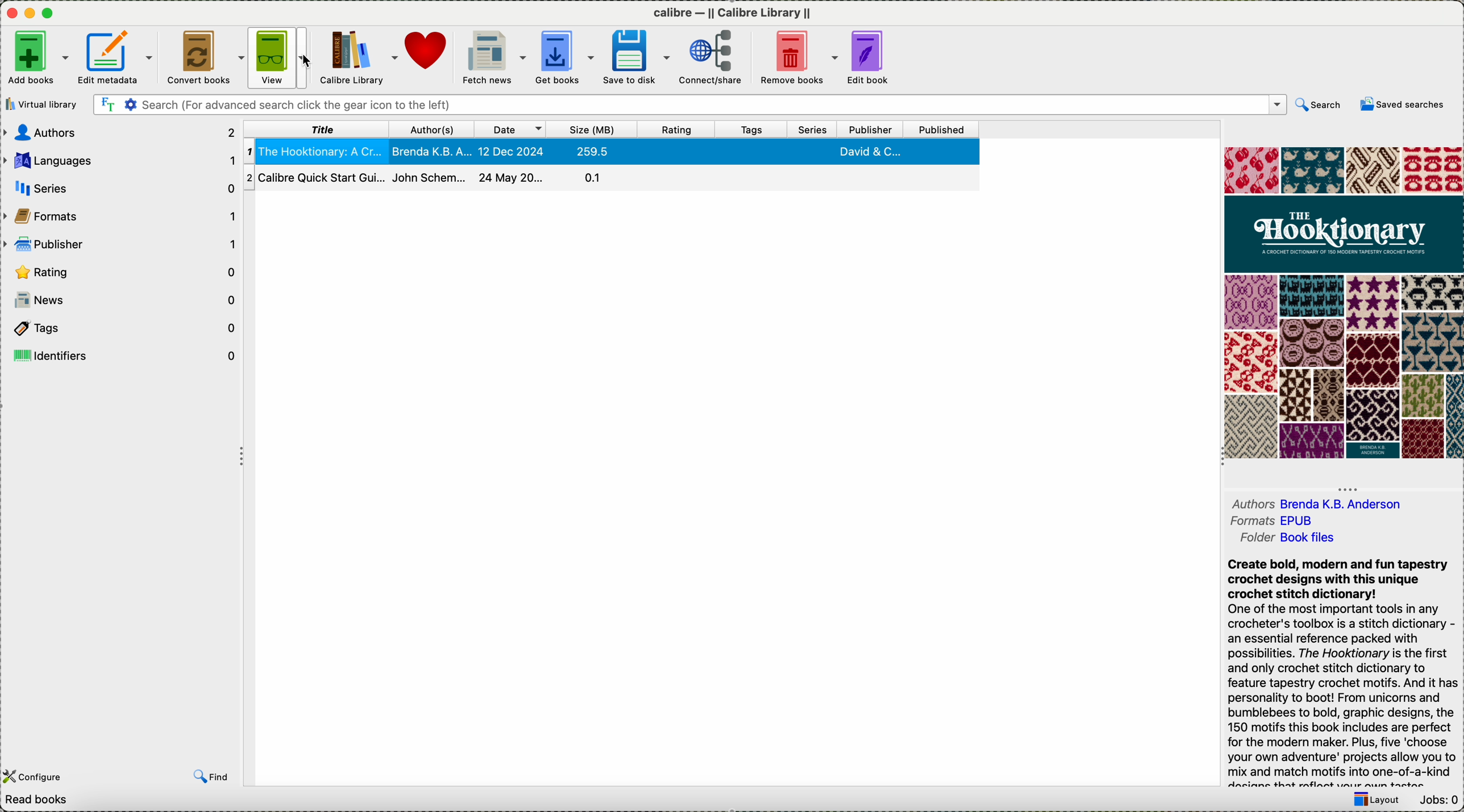 The width and height of the screenshot is (1464, 812). What do you see at coordinates (1345, 672) in the screenshot?
I see `summary` at bounding box center [1345, 672].